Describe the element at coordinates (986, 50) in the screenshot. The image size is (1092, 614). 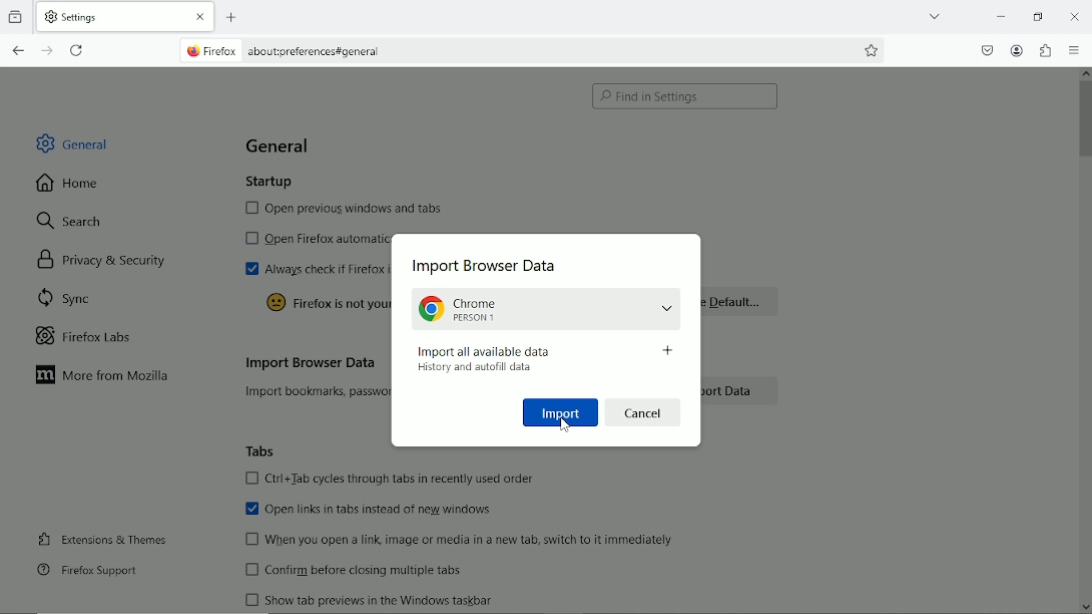
I see `Save to pocket` at that location.